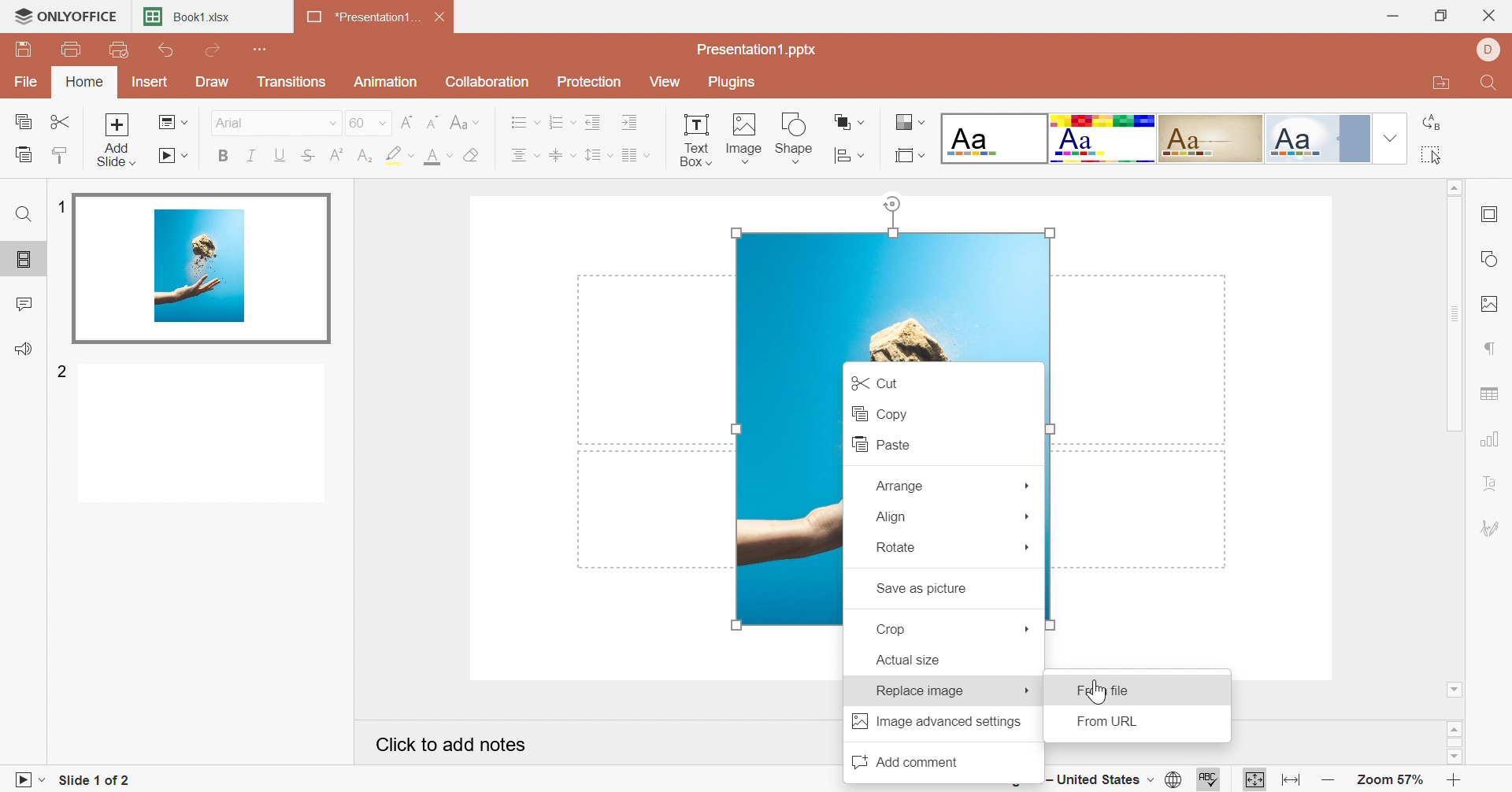  What do you see at coordinates (368, 121) in the screenshot?
I see `60` at bounding box center [368, 121].